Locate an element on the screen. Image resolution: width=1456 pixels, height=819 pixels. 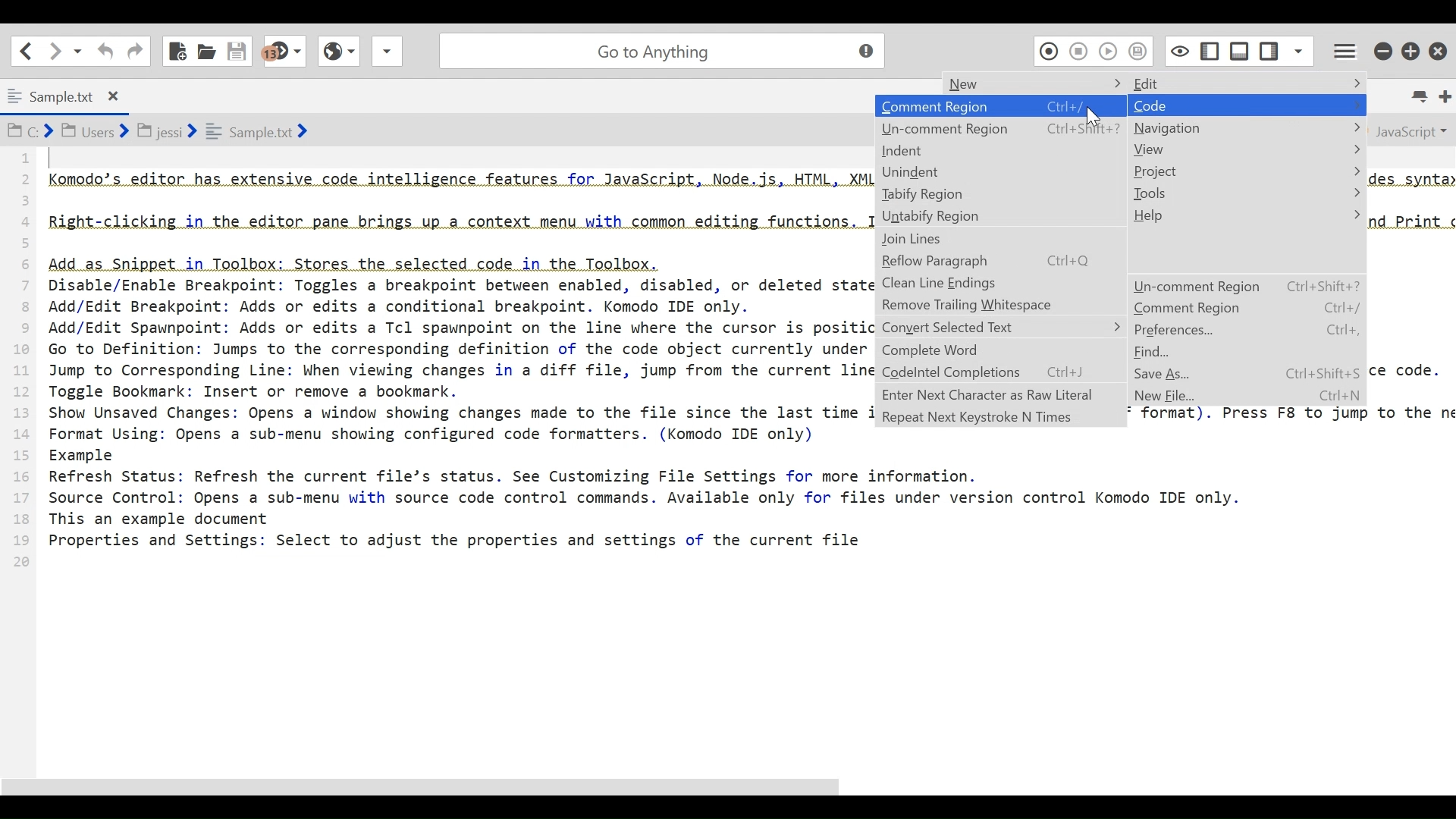
View  is located at coordinates (1245, 149).